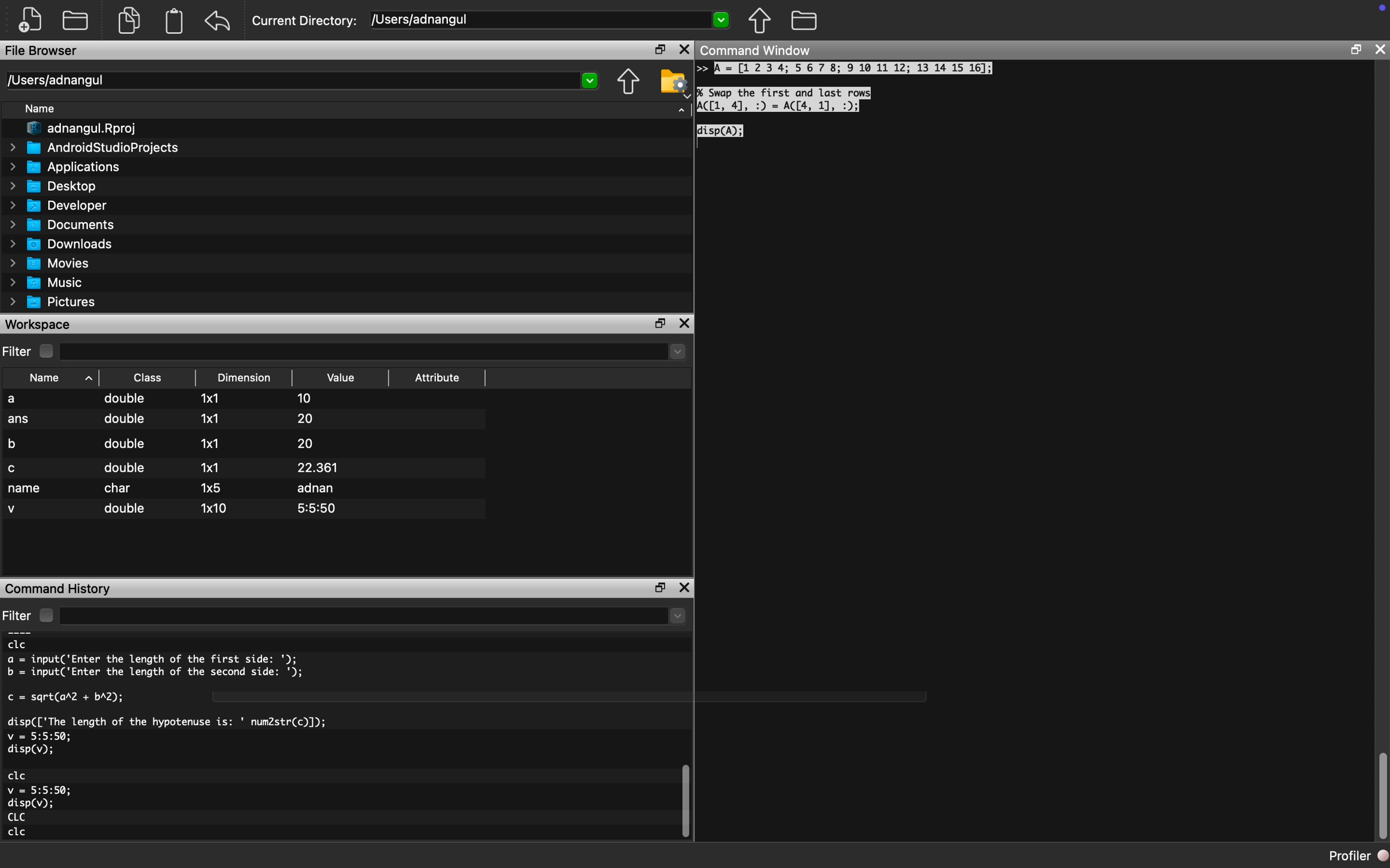 This screenshot has height=868, width=1390. What do you see at coordinates (31, 19) in the screenshot?
I see `New script` at bounding box center [31, 19].